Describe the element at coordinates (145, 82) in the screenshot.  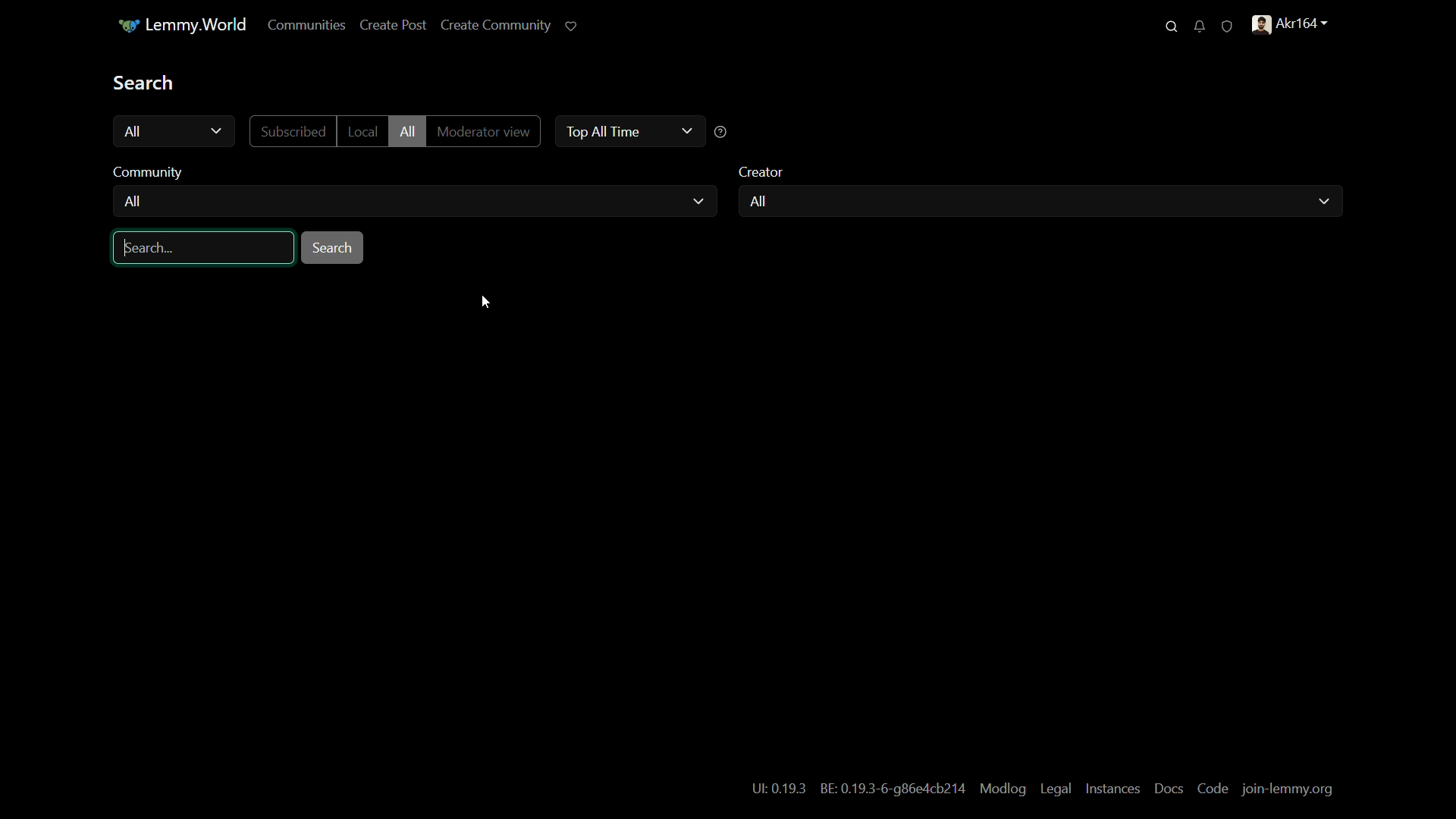
I see `search` at that location.